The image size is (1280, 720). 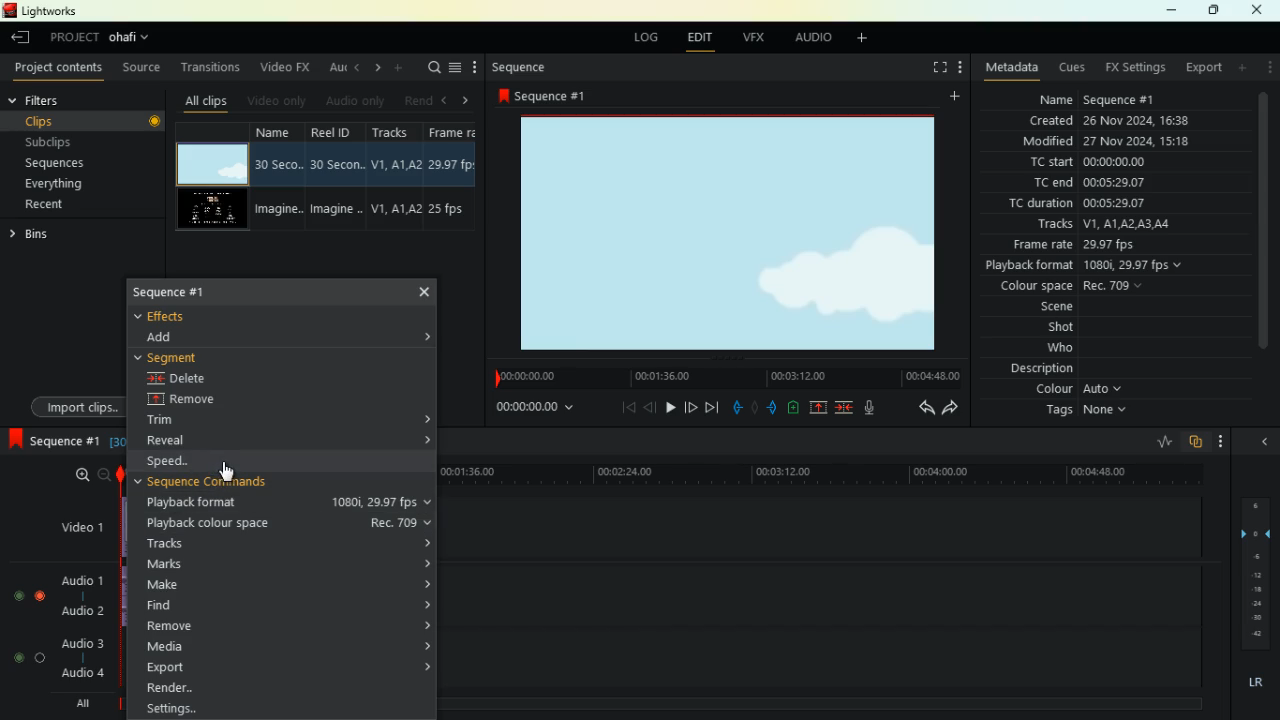 I want to click on maximize, so click(x=1214, y=10).